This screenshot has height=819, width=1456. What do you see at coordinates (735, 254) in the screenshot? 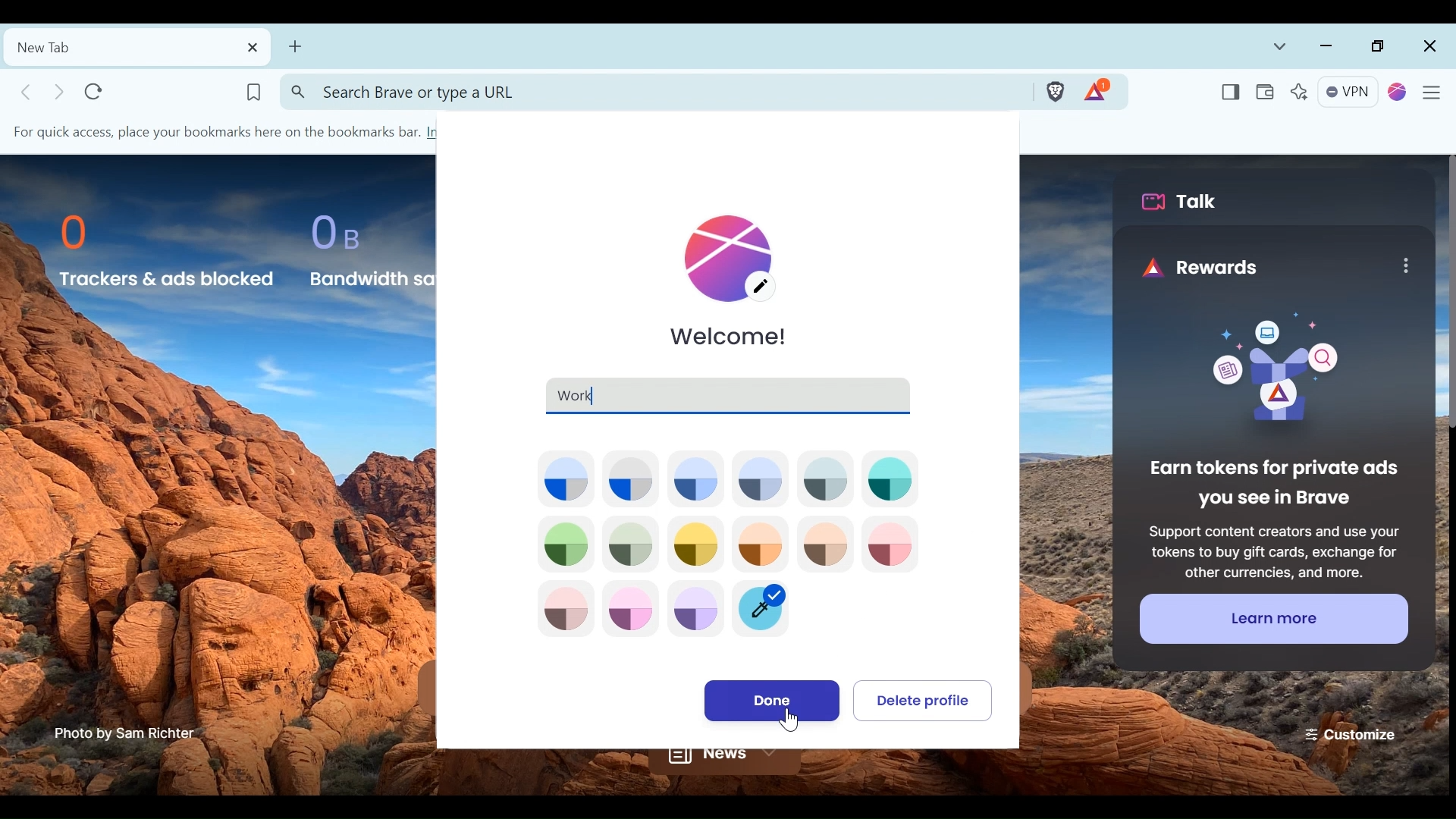
I see `Edit Profile Icon` at bounding box center [735, 254].